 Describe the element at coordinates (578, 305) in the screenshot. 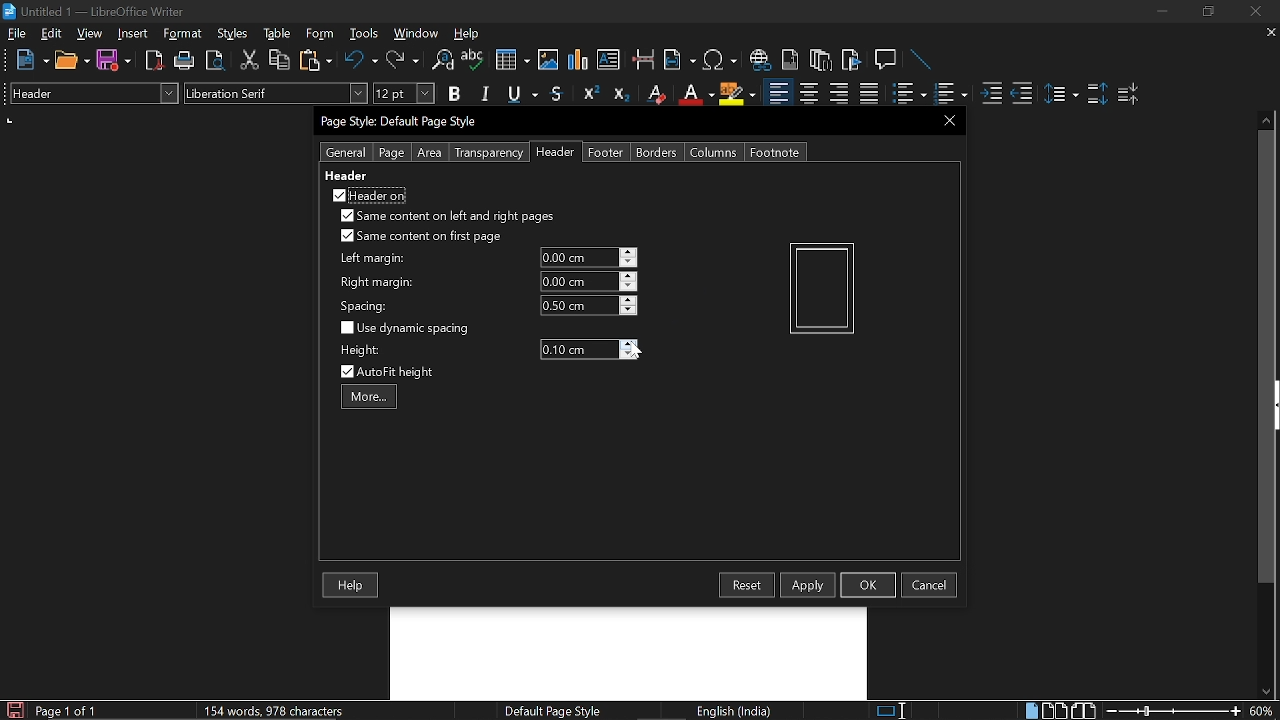

I see `current spacing` at that location.